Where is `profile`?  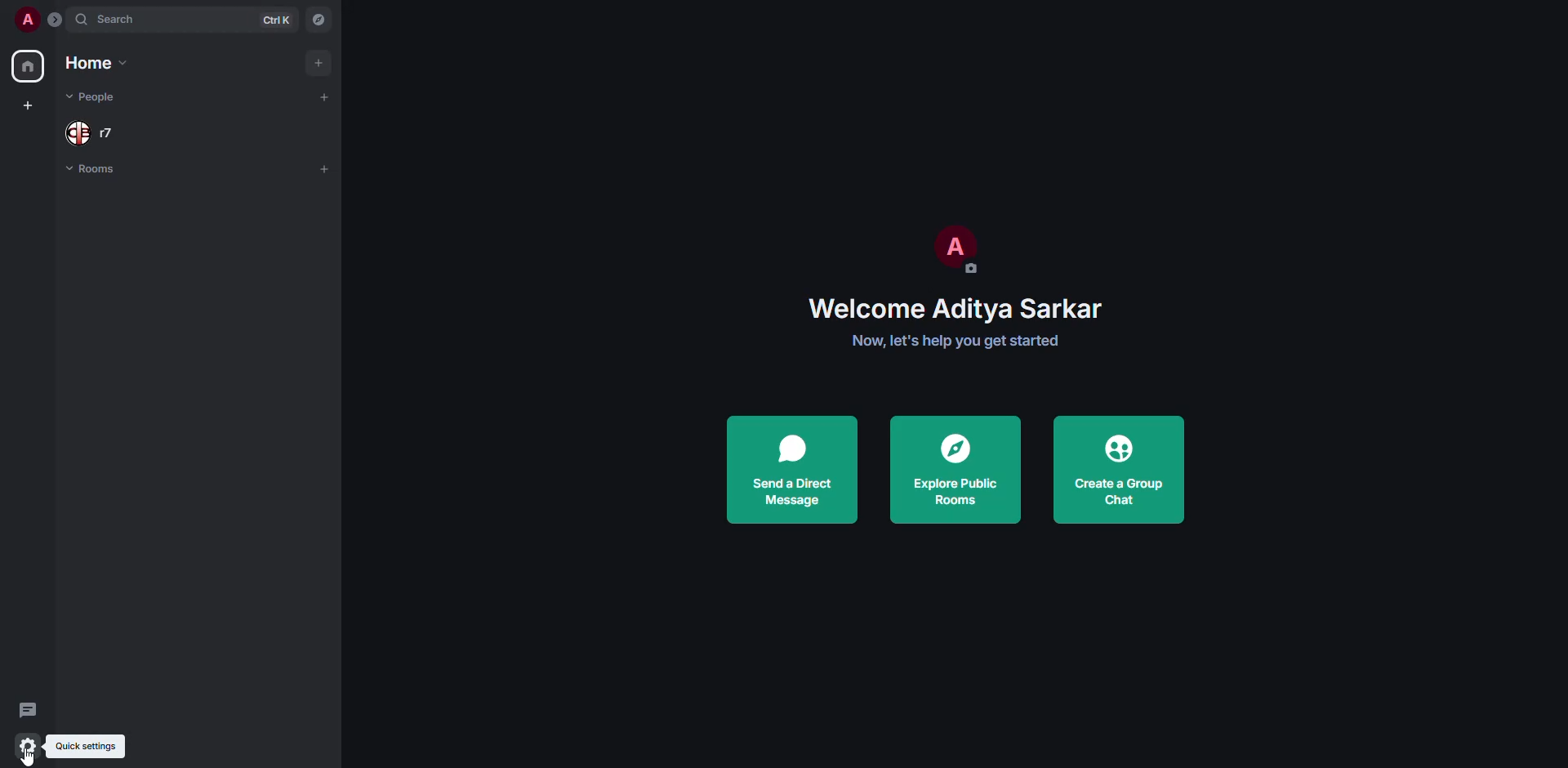 profile is located at coordinates (26, 19).